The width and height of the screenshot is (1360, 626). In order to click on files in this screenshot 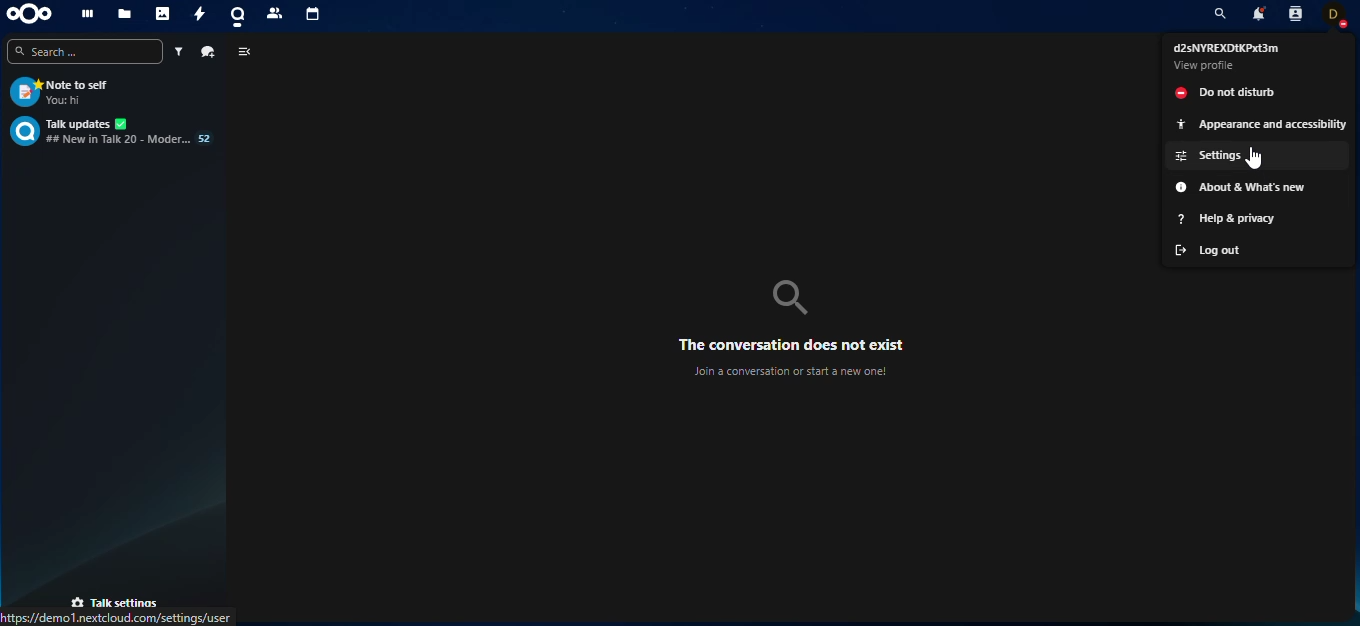, I will do `click(123, 13)`.